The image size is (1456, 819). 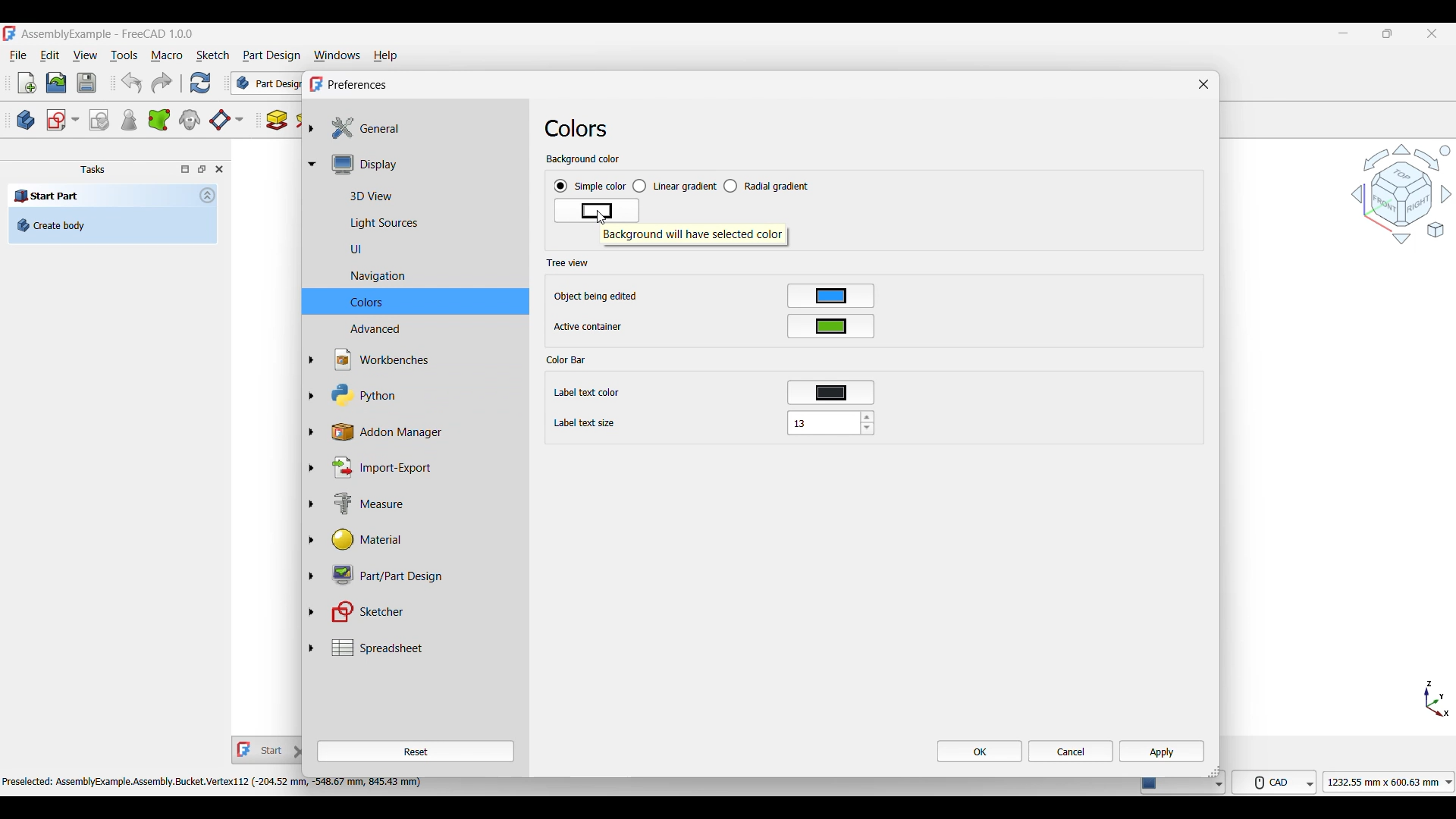 I want to click on Redo, so click(x=162, y=83).